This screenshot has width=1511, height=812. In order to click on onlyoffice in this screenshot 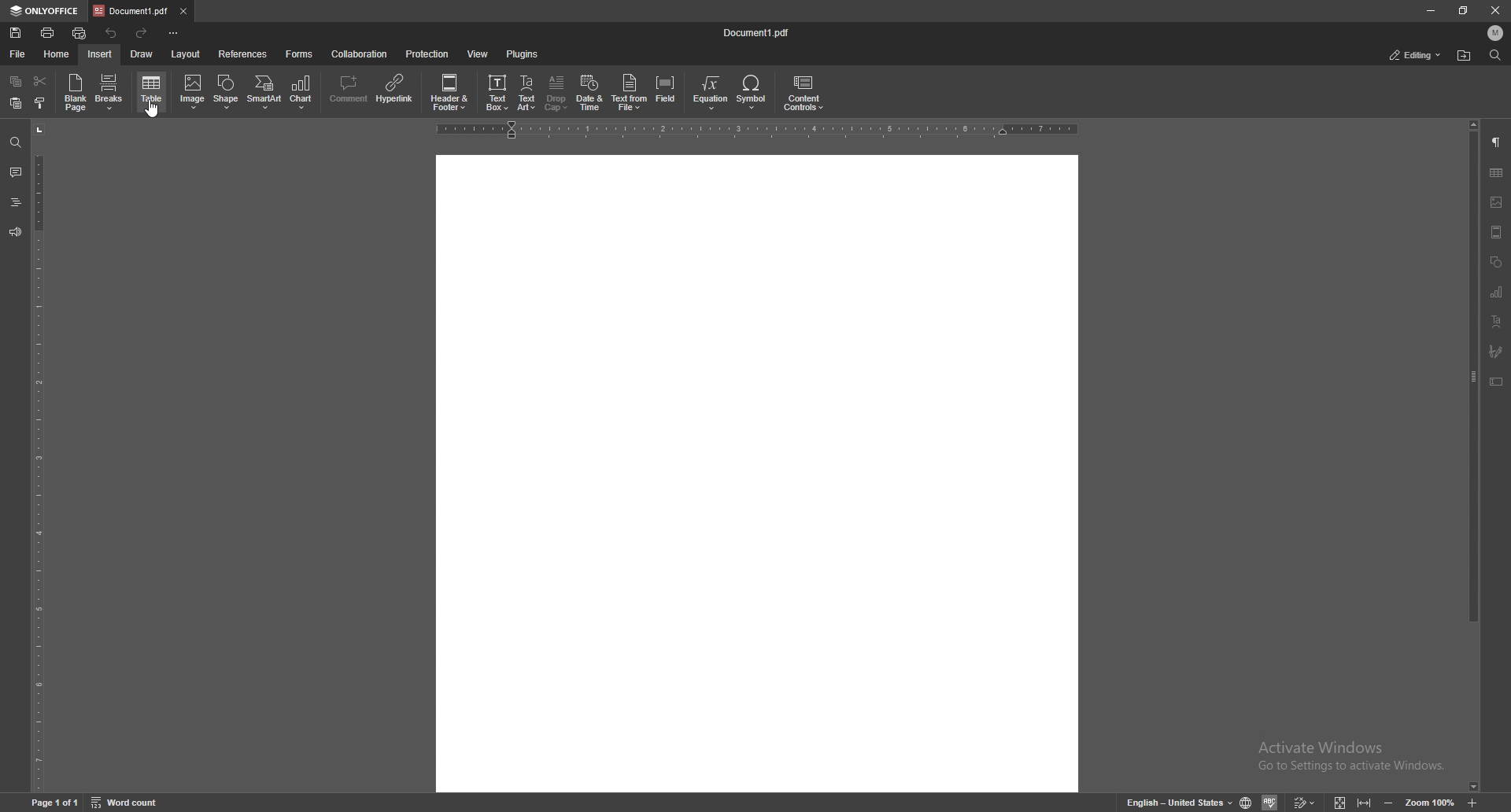, I will do `click(47, 12)`.